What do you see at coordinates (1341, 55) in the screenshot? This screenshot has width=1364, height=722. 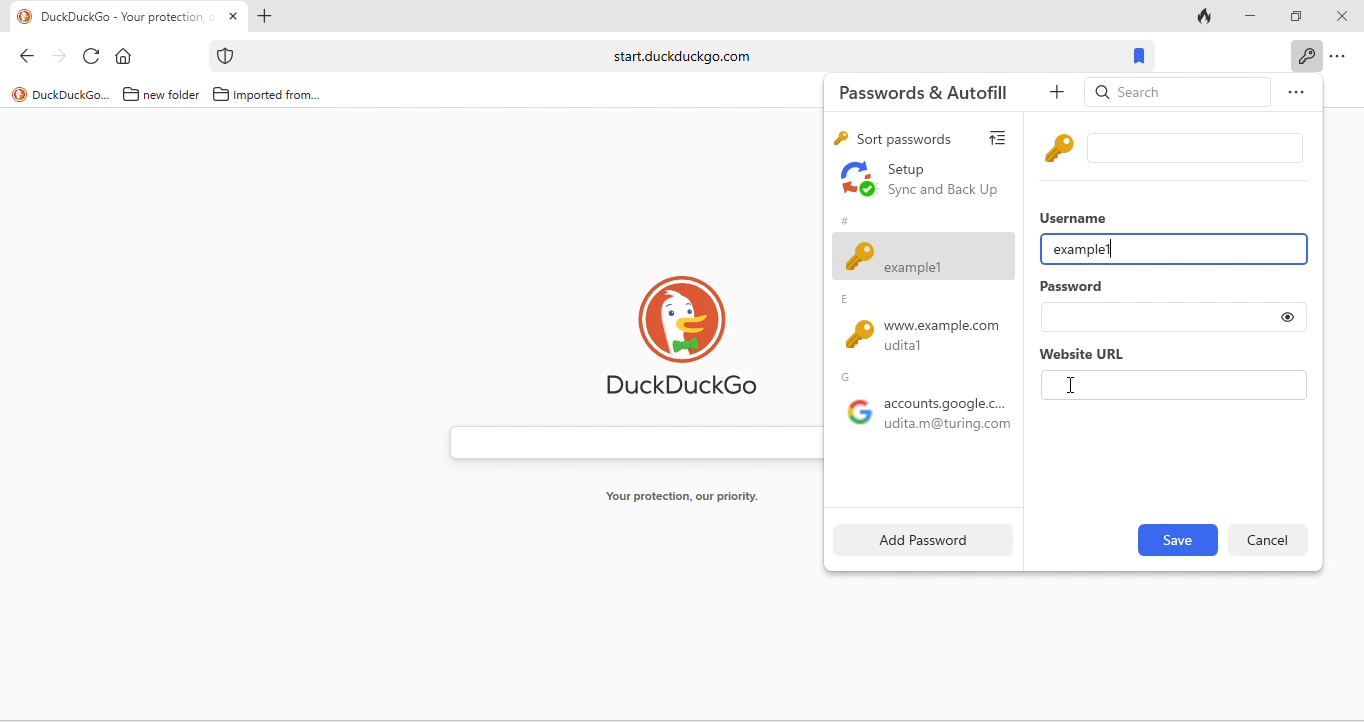 I see `option` at bounding box center [1341, 55].